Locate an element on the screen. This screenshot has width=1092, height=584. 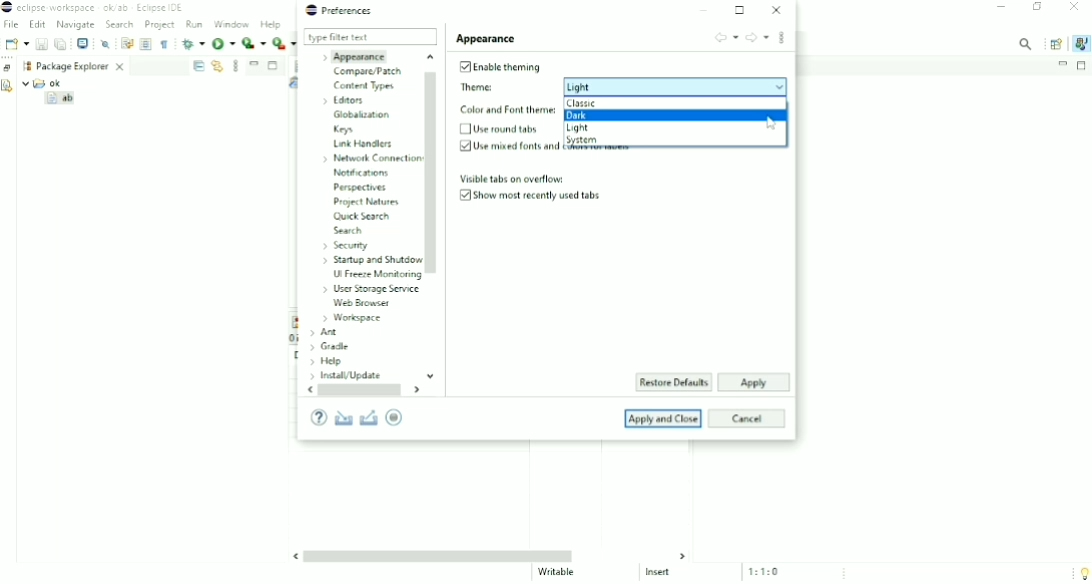
Light is located at coordinates (580, 129).